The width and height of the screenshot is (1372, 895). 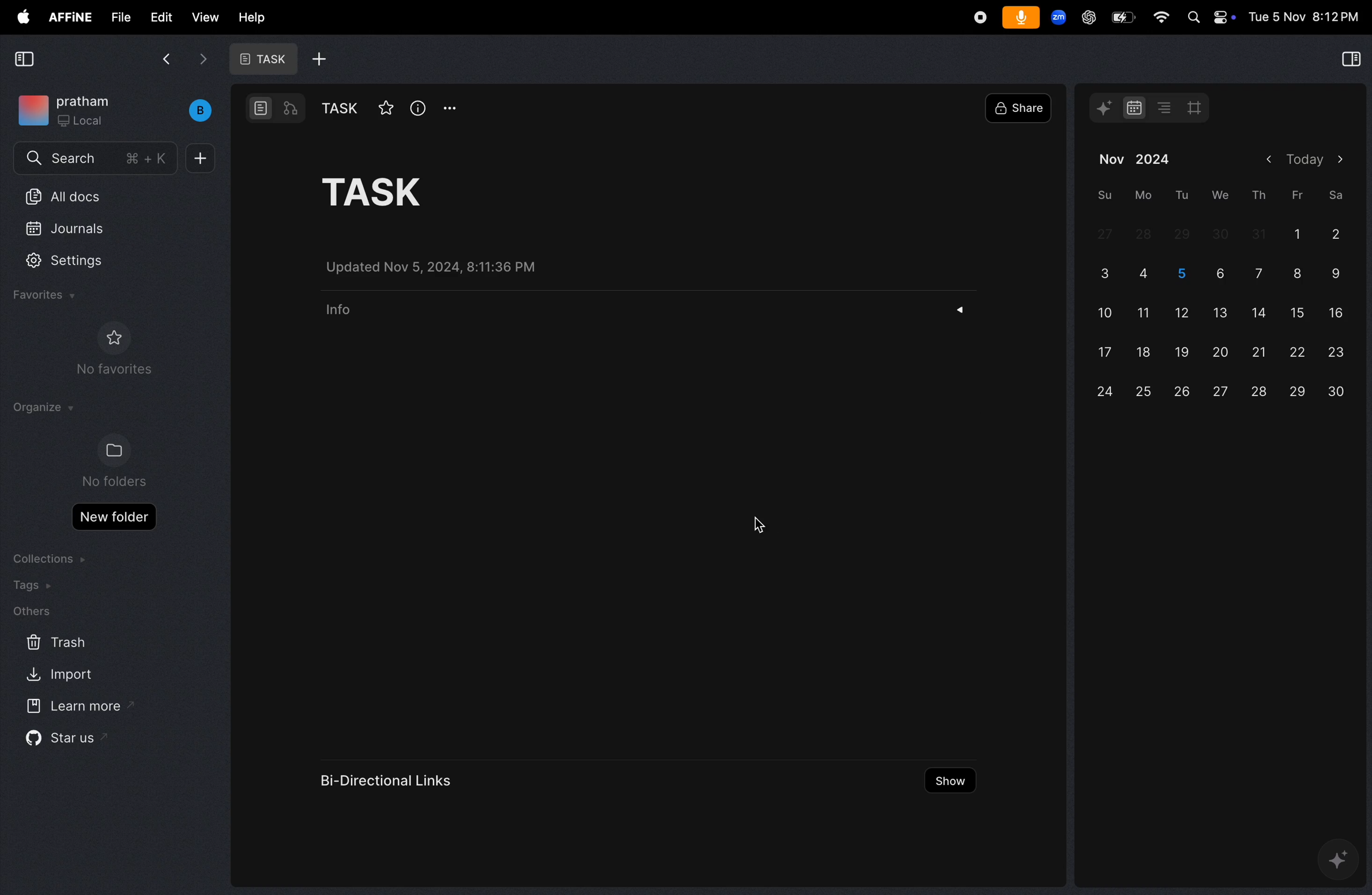 What do you see at coordinates (1258, 195) in the screenshot?
I see `thursday` at bounding box center [1258, 195].